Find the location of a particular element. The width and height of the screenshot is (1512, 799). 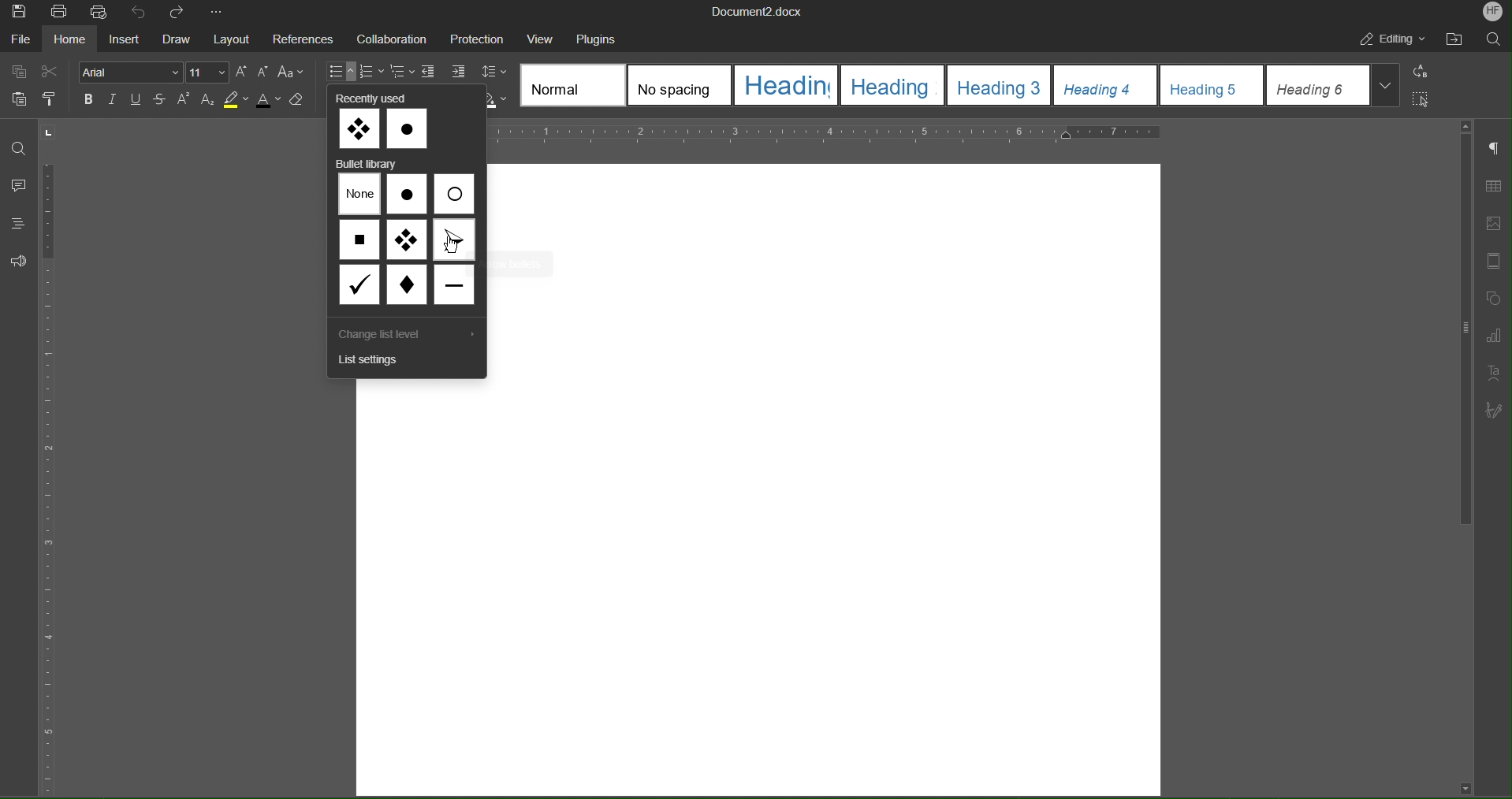

Home is located at coordinates (70, 40).